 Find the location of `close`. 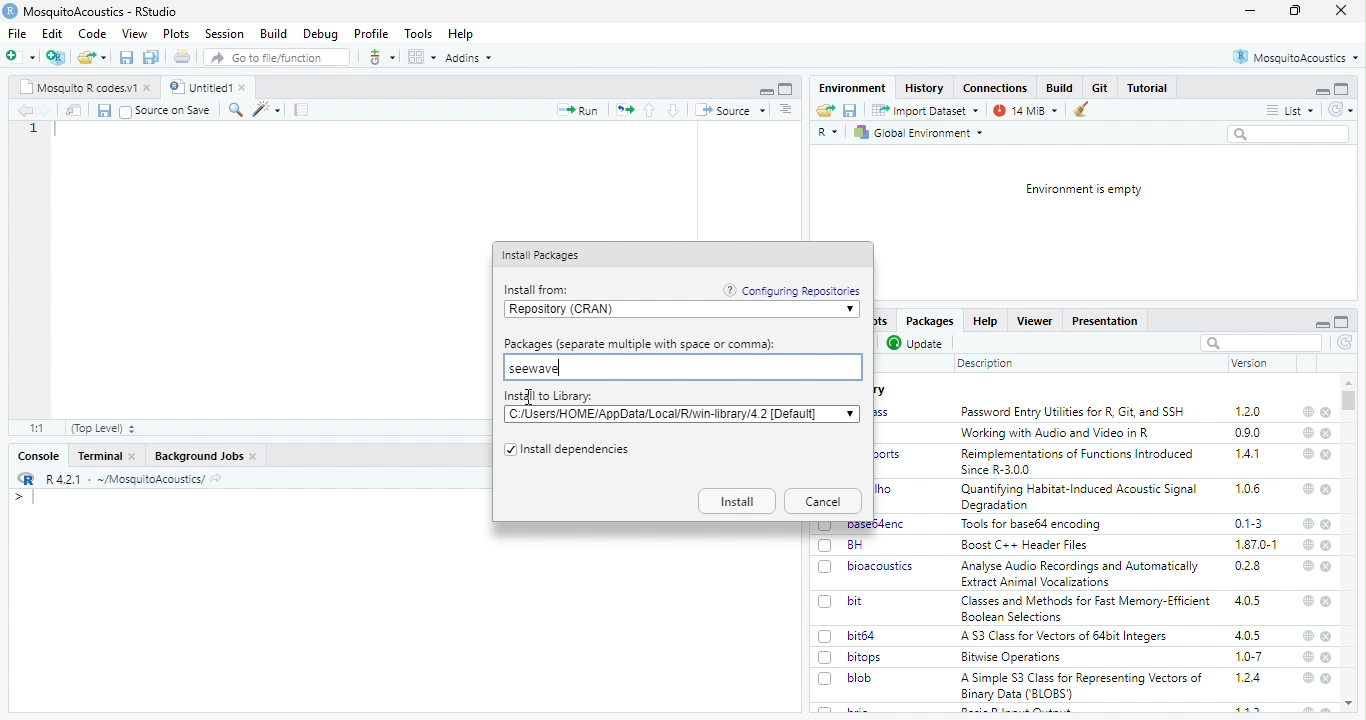

close is located at coordinates (1327, 658).